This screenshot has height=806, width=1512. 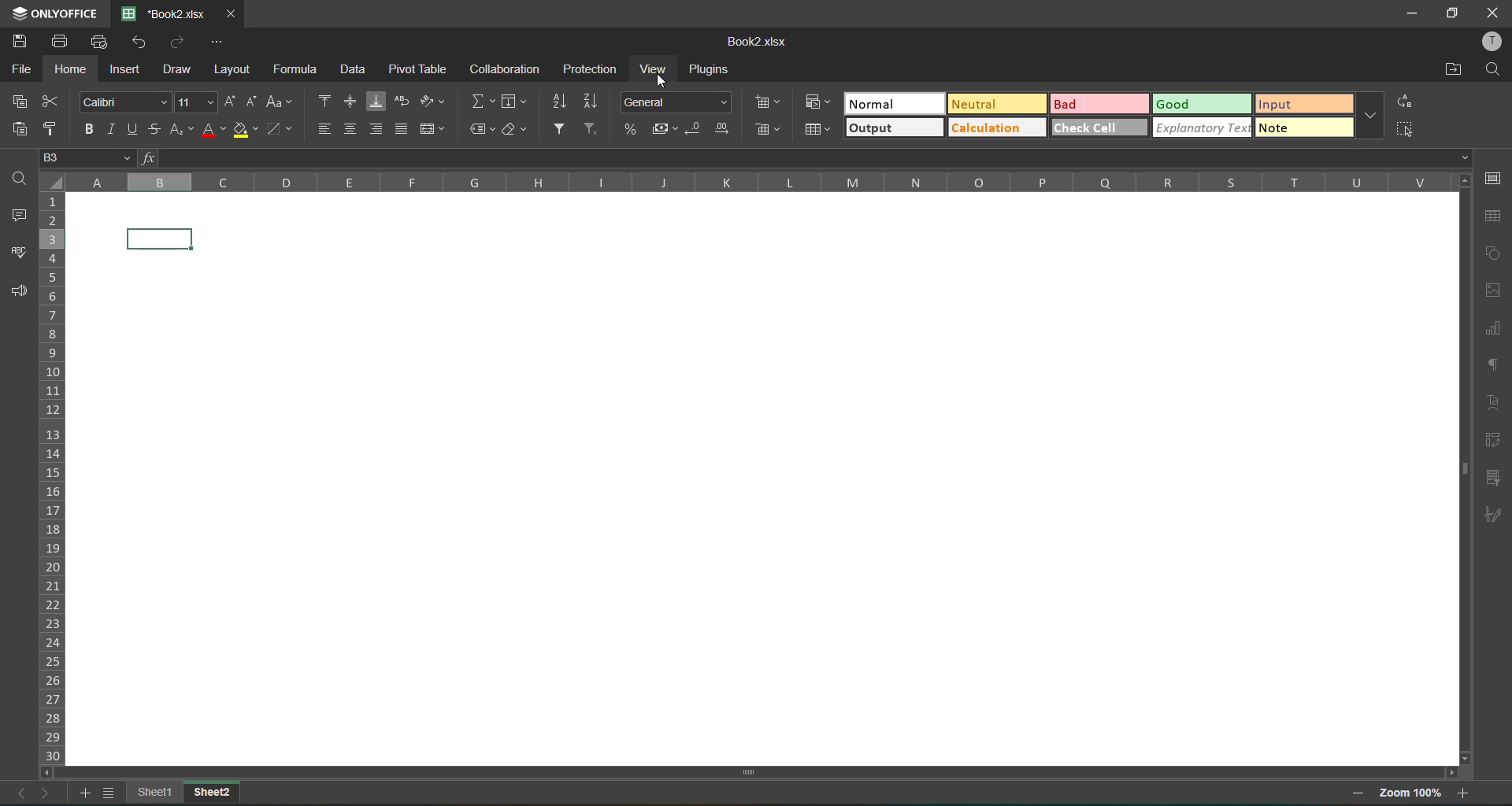 I want to click on row numbers, so click(x=56, y=476).